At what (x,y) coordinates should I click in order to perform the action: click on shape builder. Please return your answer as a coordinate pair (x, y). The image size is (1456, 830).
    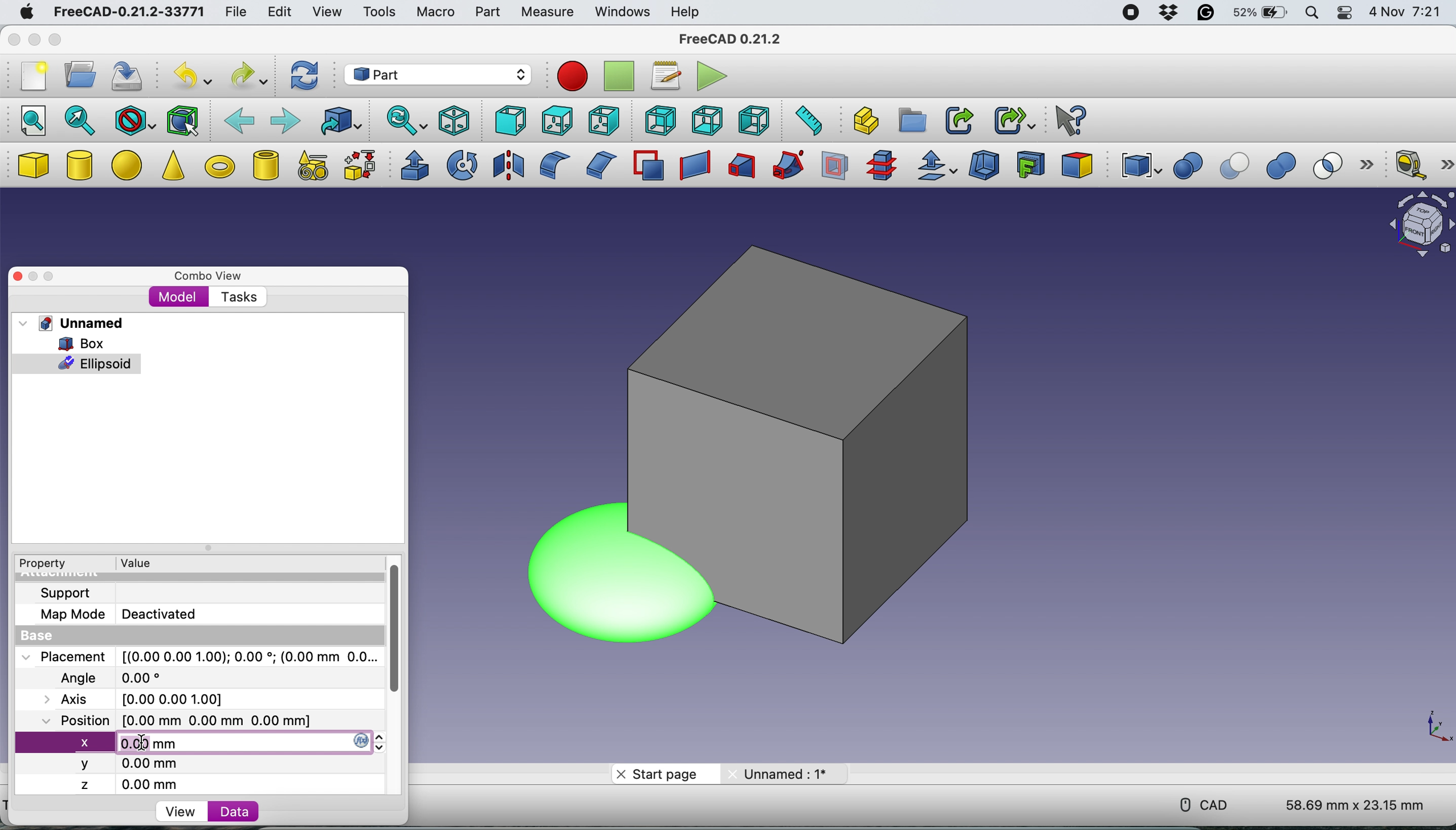
    Looking at the image, I should click on (360, 165).